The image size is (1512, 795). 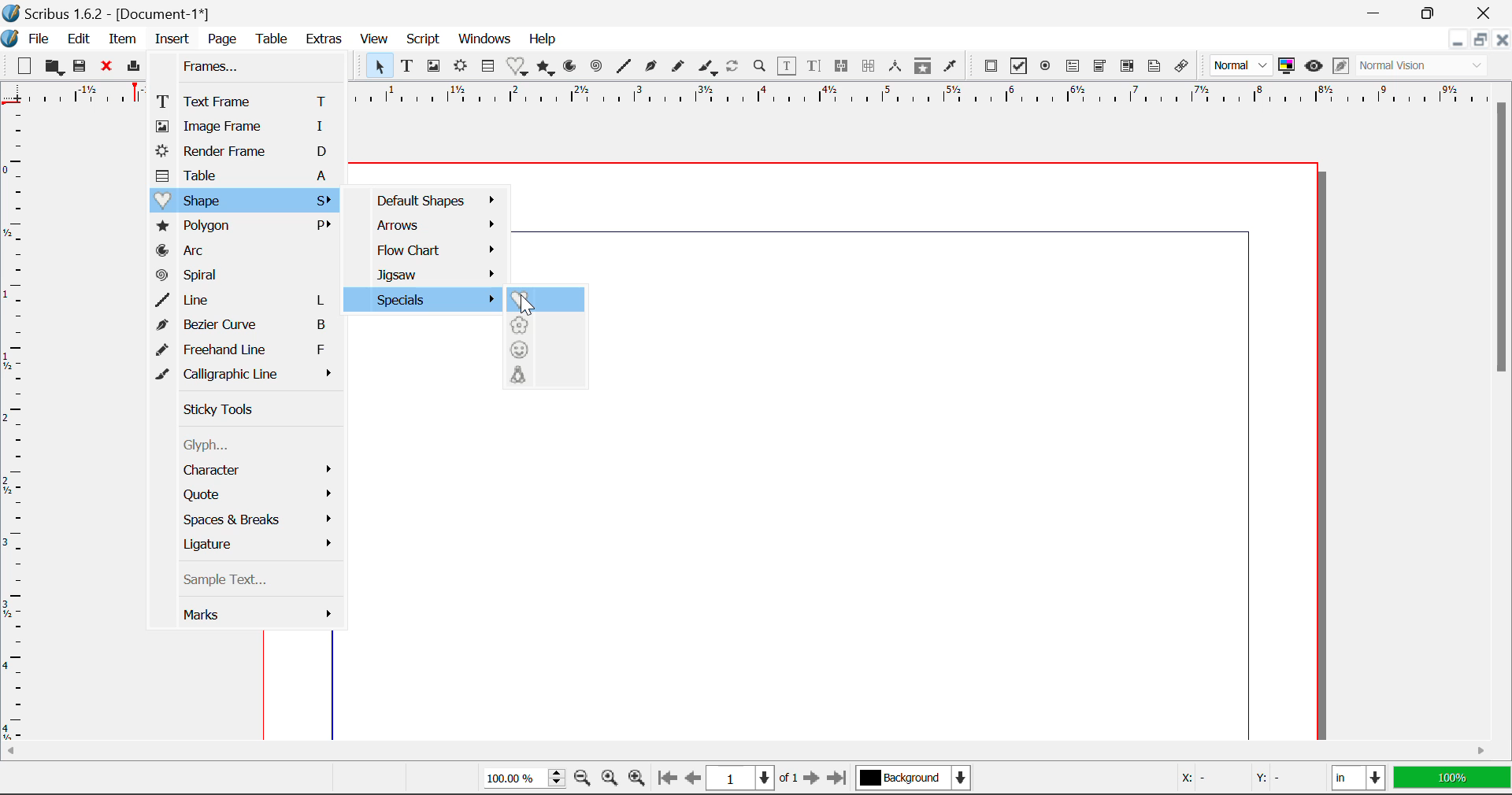 I want to click on Close, so click(x=1488, y=13).